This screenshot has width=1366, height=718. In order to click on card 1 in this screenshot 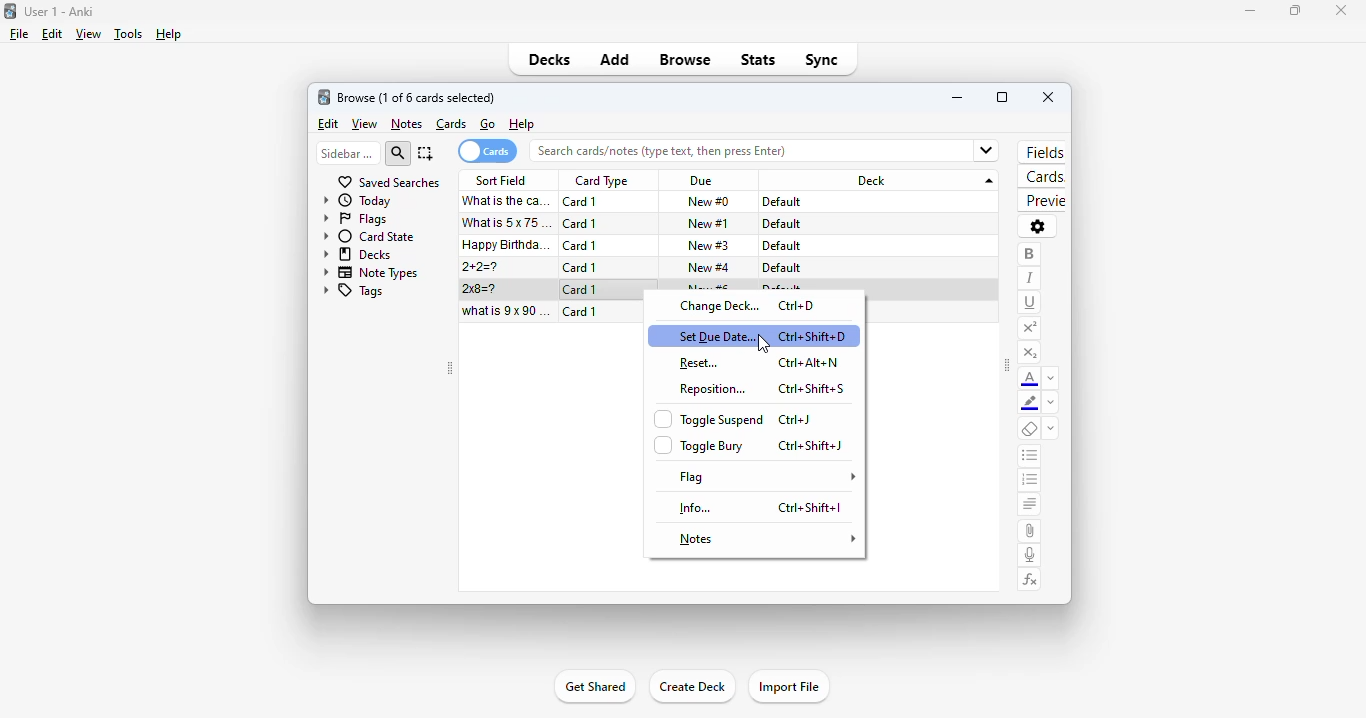, I will do `click(580, 268)`.